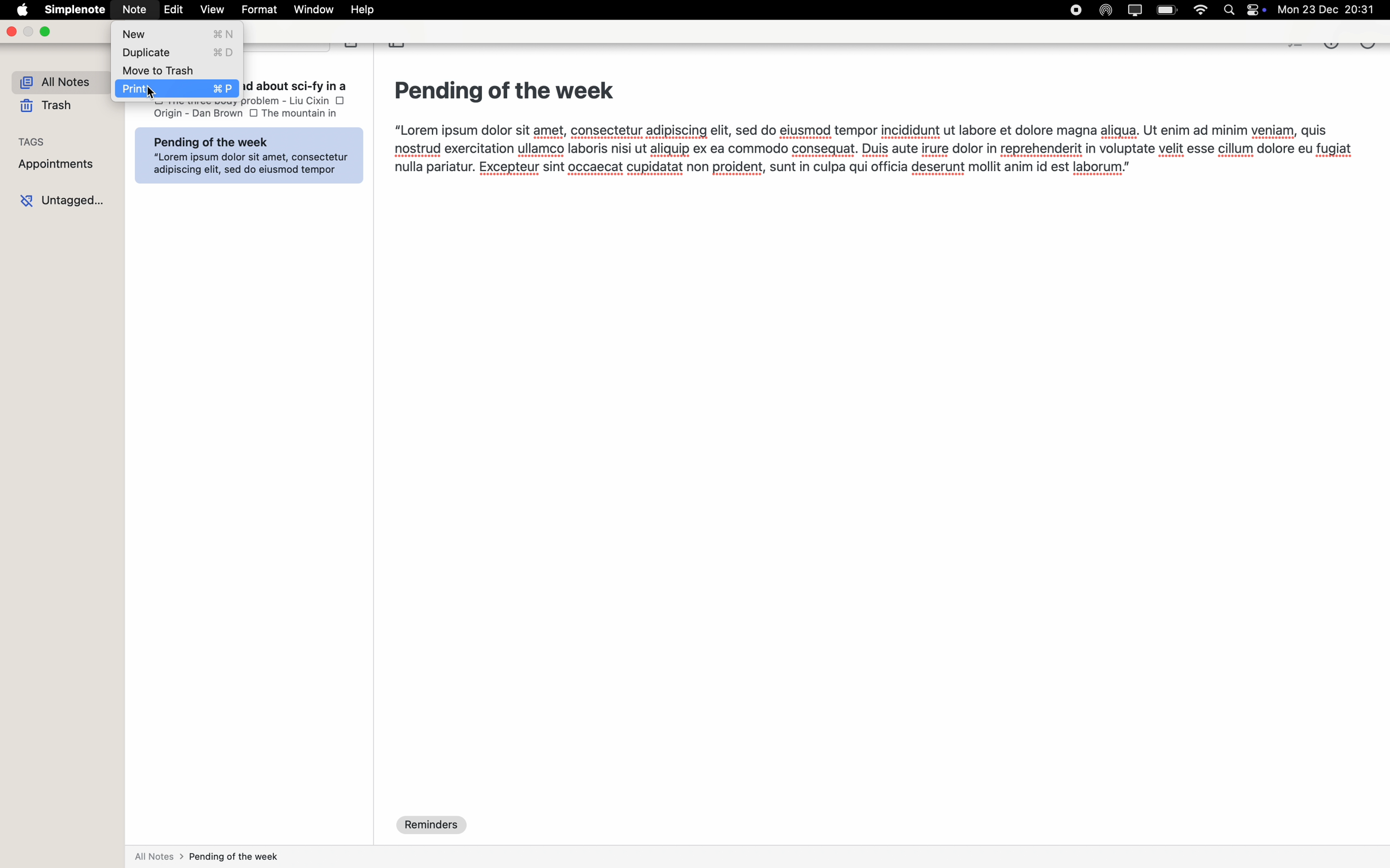 This screenshot has height=868, width=1390. What do you see at coordinates (1107, 10) in the screenshot?
I see `Airdrop` at bounding box center [1107, 10].